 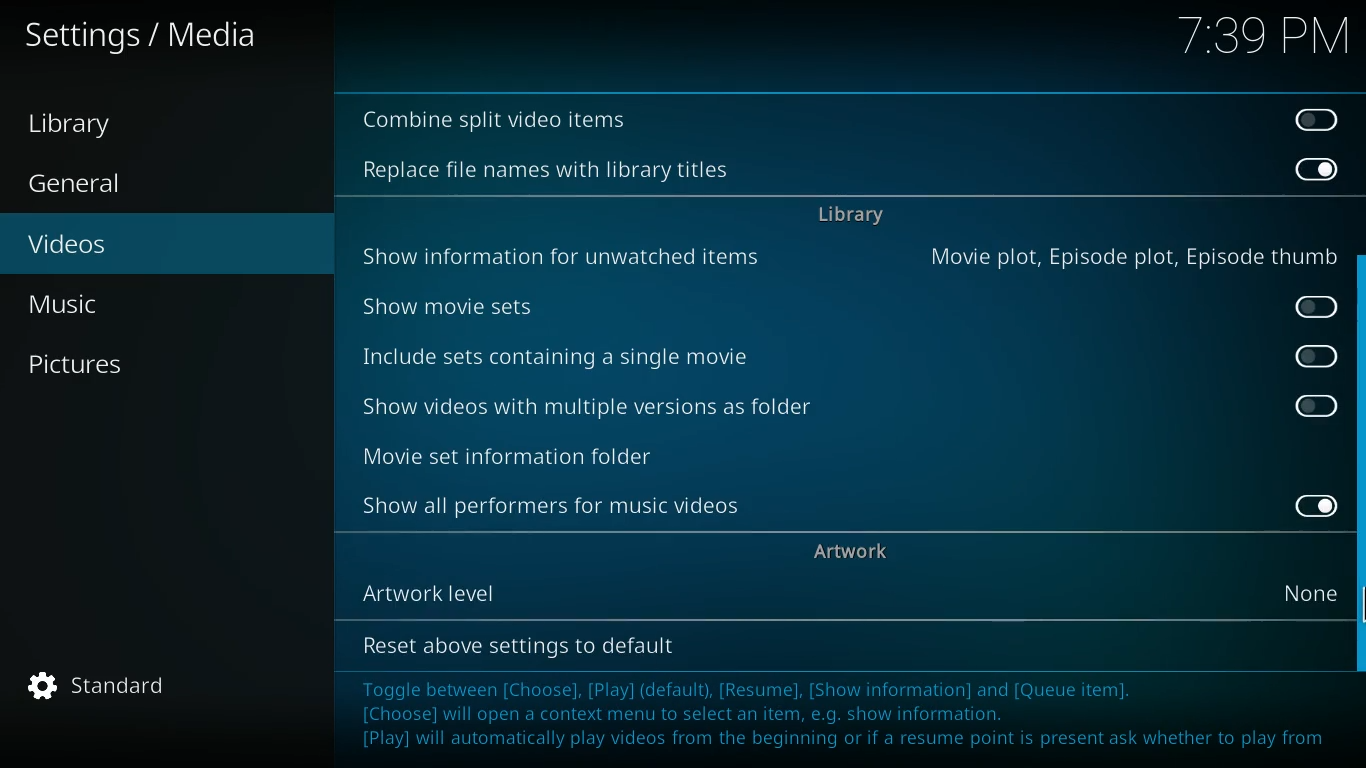 I want to click on off, so click(x=1320, y=306).